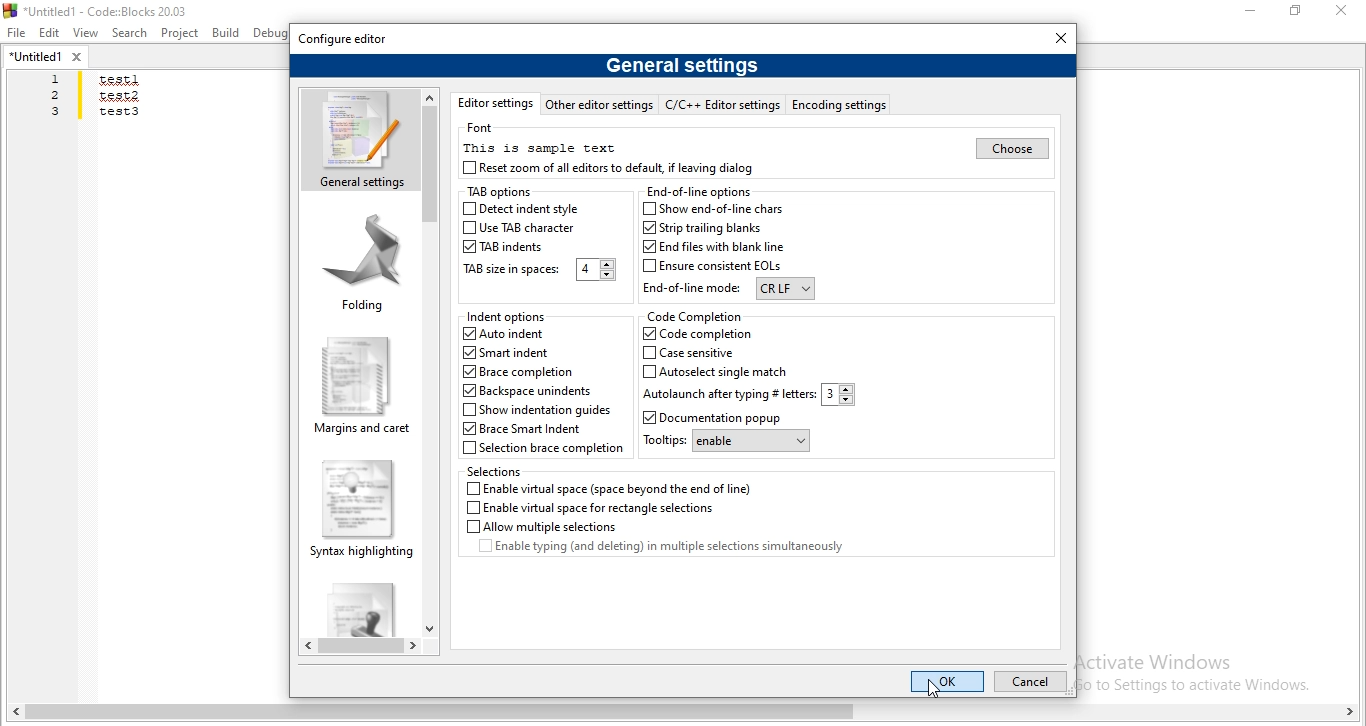  Describe the element at coordinates (224, 32) in the screenshot. I see `Build ` at that location.